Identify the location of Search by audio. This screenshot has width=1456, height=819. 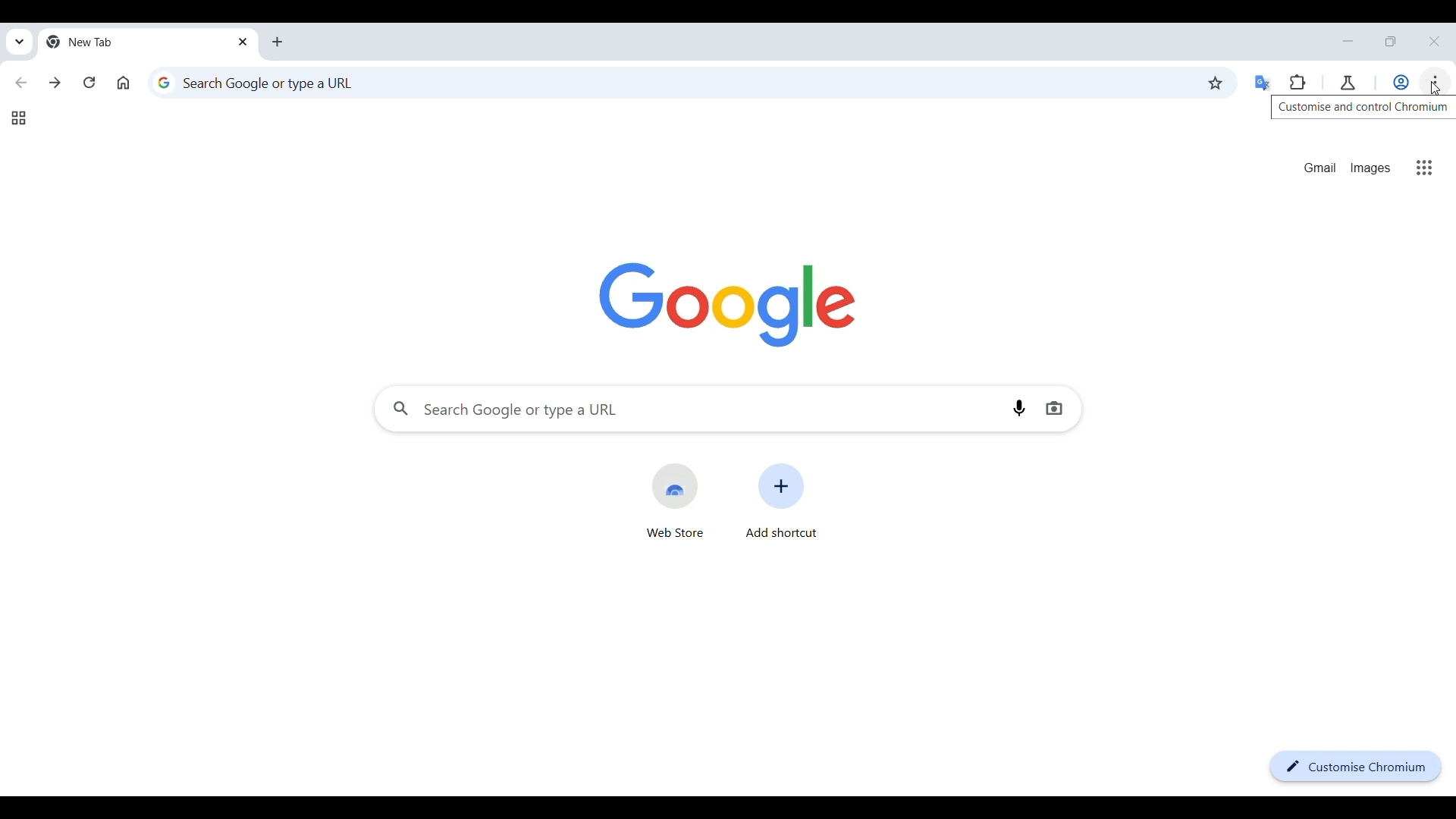
(1020, 409).